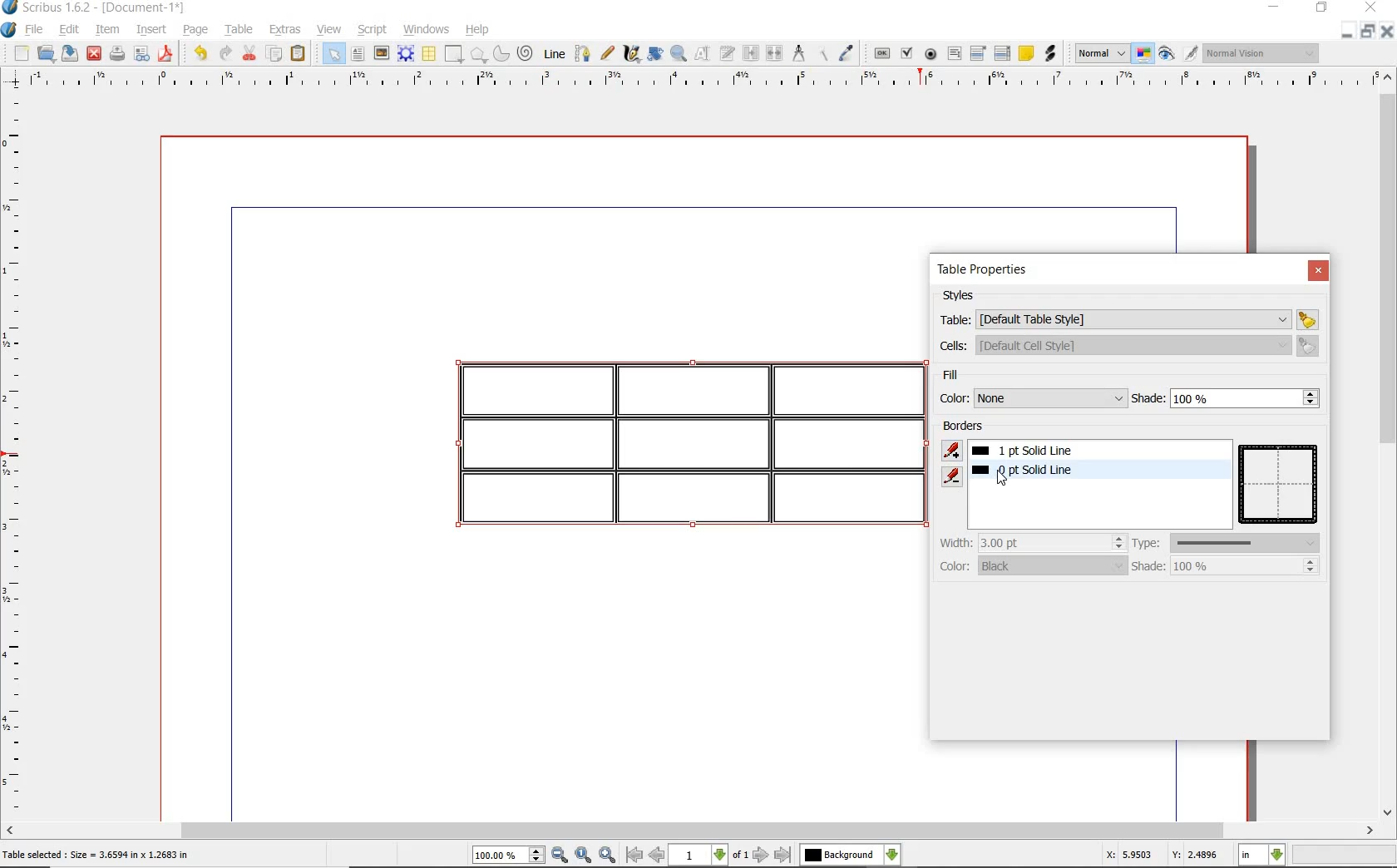 The height and width of the screenshot is (868, 1397). I want to click on ruler, so click(17, 454).